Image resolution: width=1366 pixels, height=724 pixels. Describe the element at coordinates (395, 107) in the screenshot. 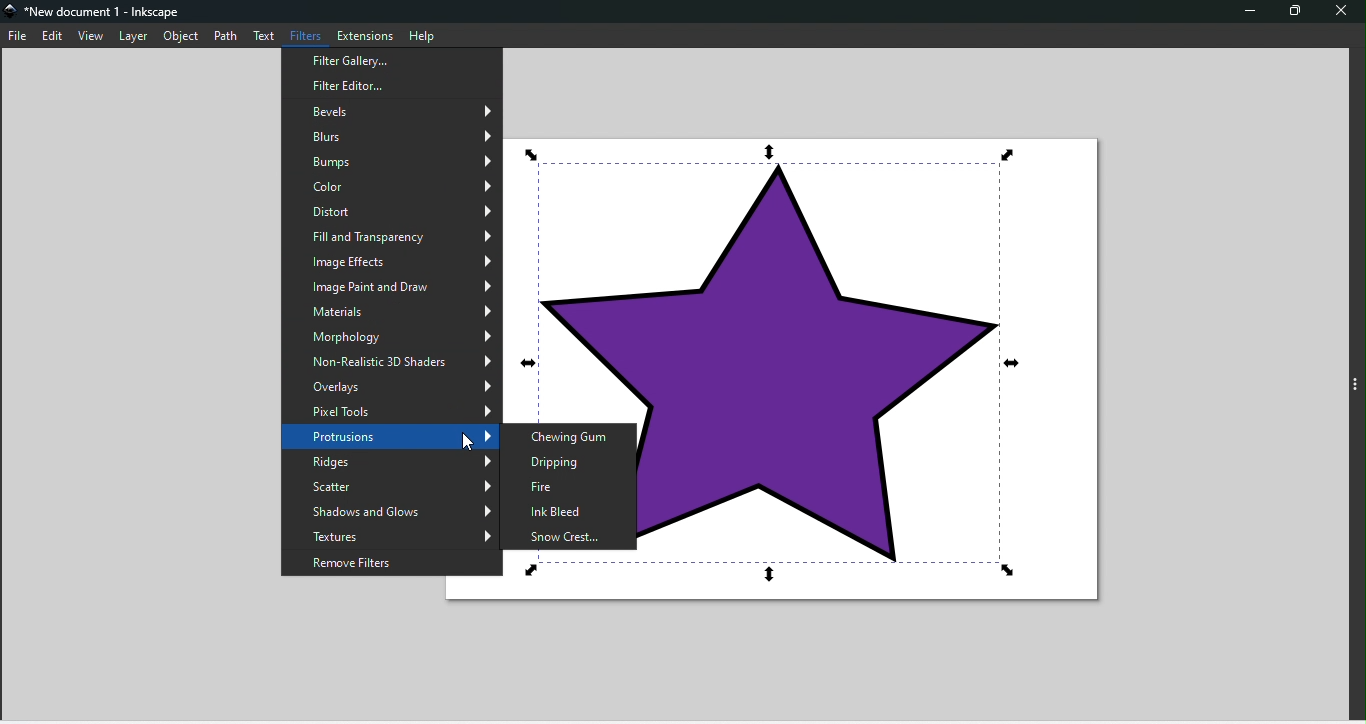

I see `Bevels` at that location.